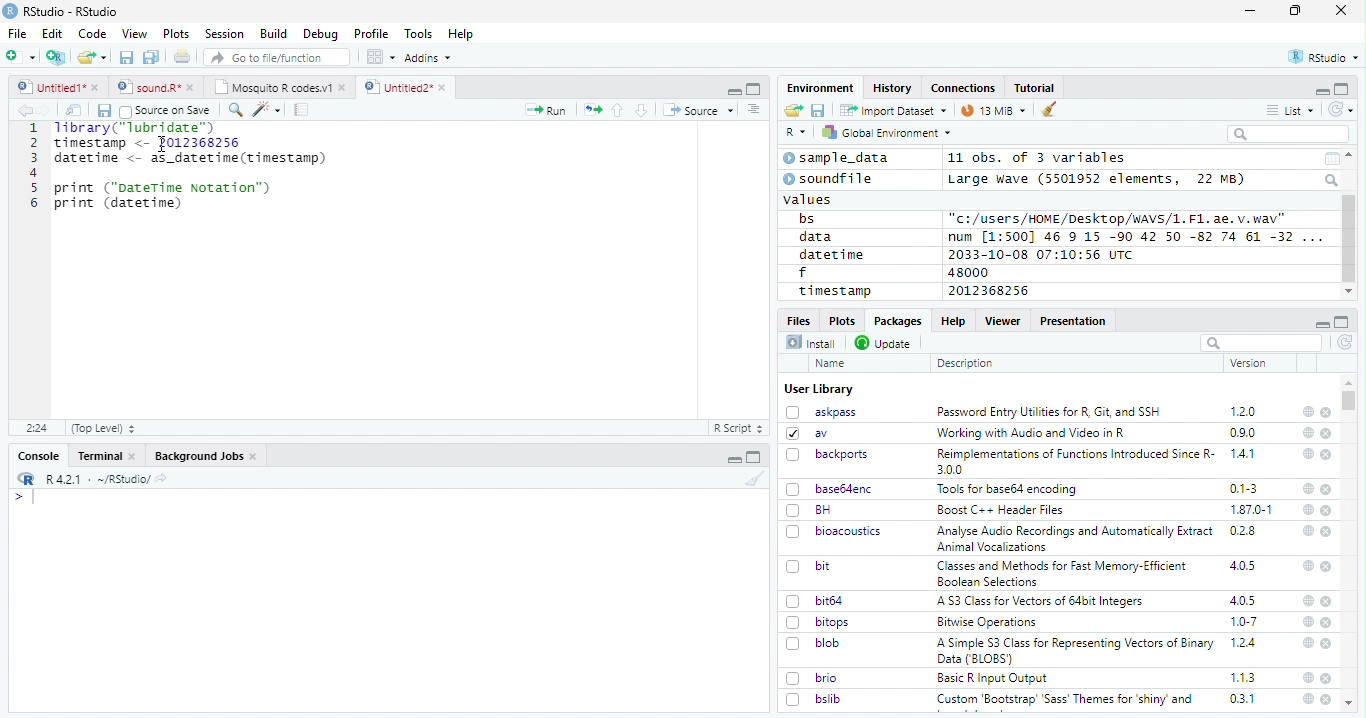 The height and width of the screenshot is (718, 1366). What do you see at coordinates (812, 678) in the screenshot?
I see `brio` at bounding box center [812, 678].